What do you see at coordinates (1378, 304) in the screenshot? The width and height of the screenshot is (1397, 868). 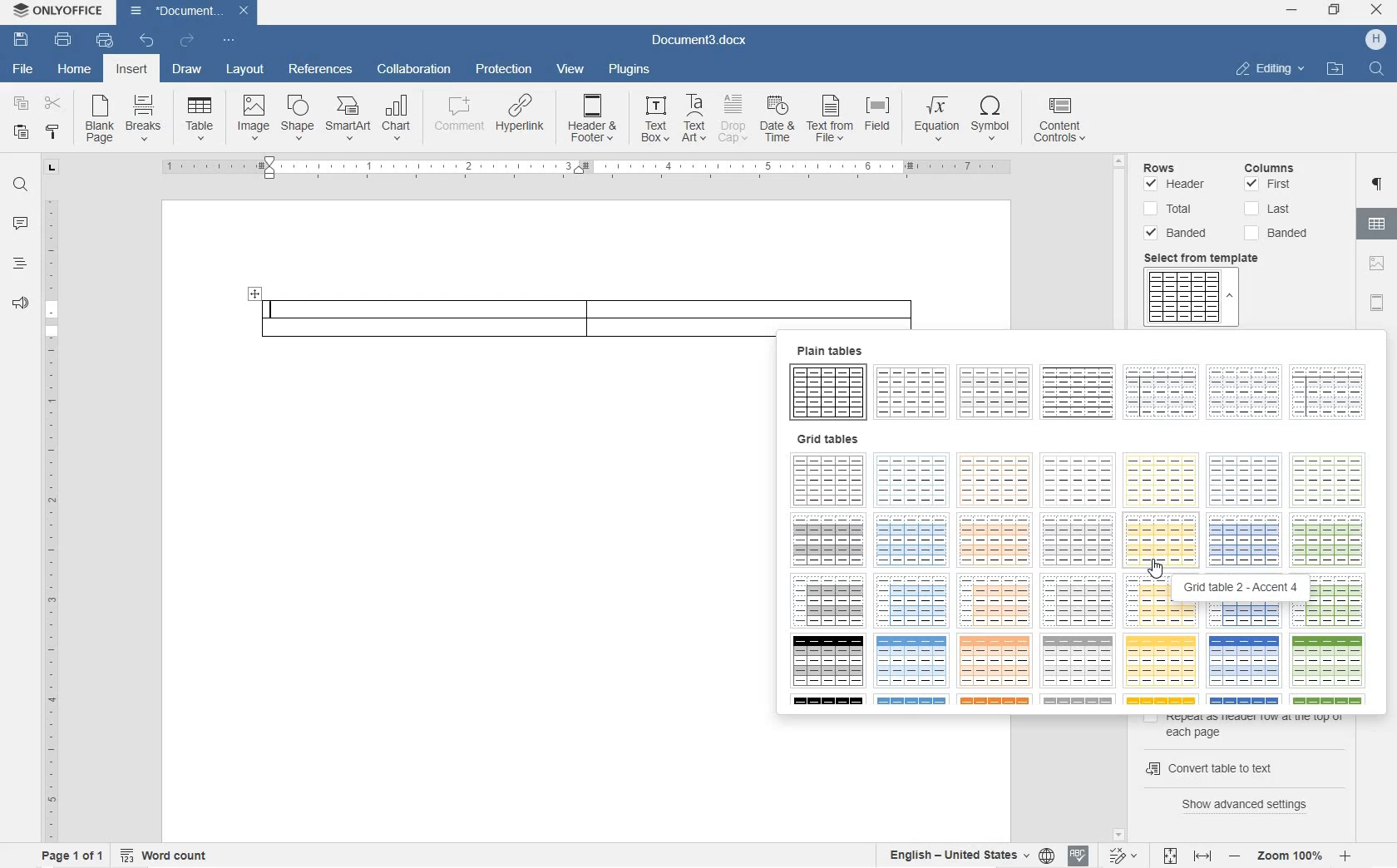 I see `HEADERS & FOOTERS` at bounding box center [1378, 304].